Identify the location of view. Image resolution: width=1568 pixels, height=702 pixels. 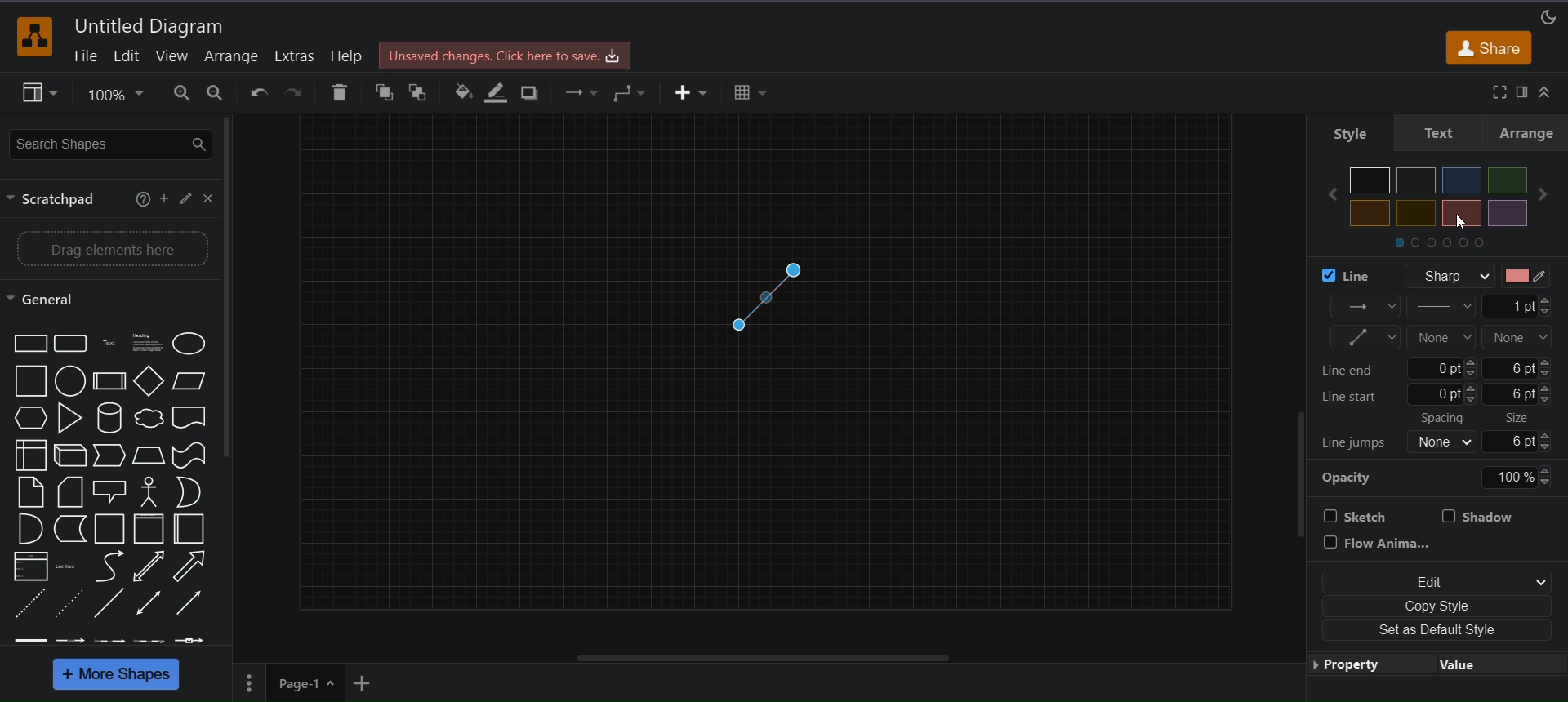
(40, 93).